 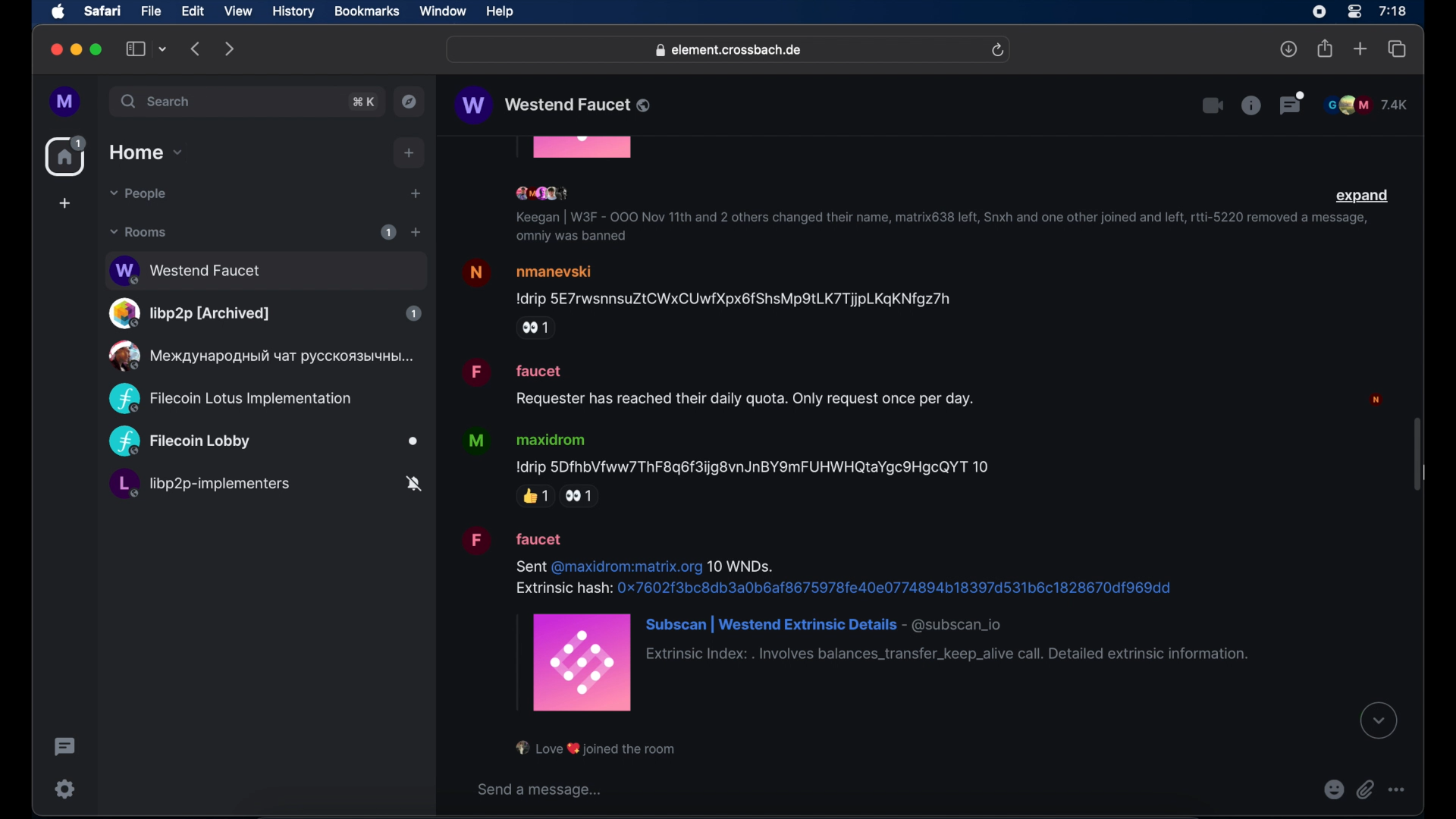 What do you see at coordinates (1250, 105) in the screenshot?
I see `room info` at bounding box center [1250, 105].